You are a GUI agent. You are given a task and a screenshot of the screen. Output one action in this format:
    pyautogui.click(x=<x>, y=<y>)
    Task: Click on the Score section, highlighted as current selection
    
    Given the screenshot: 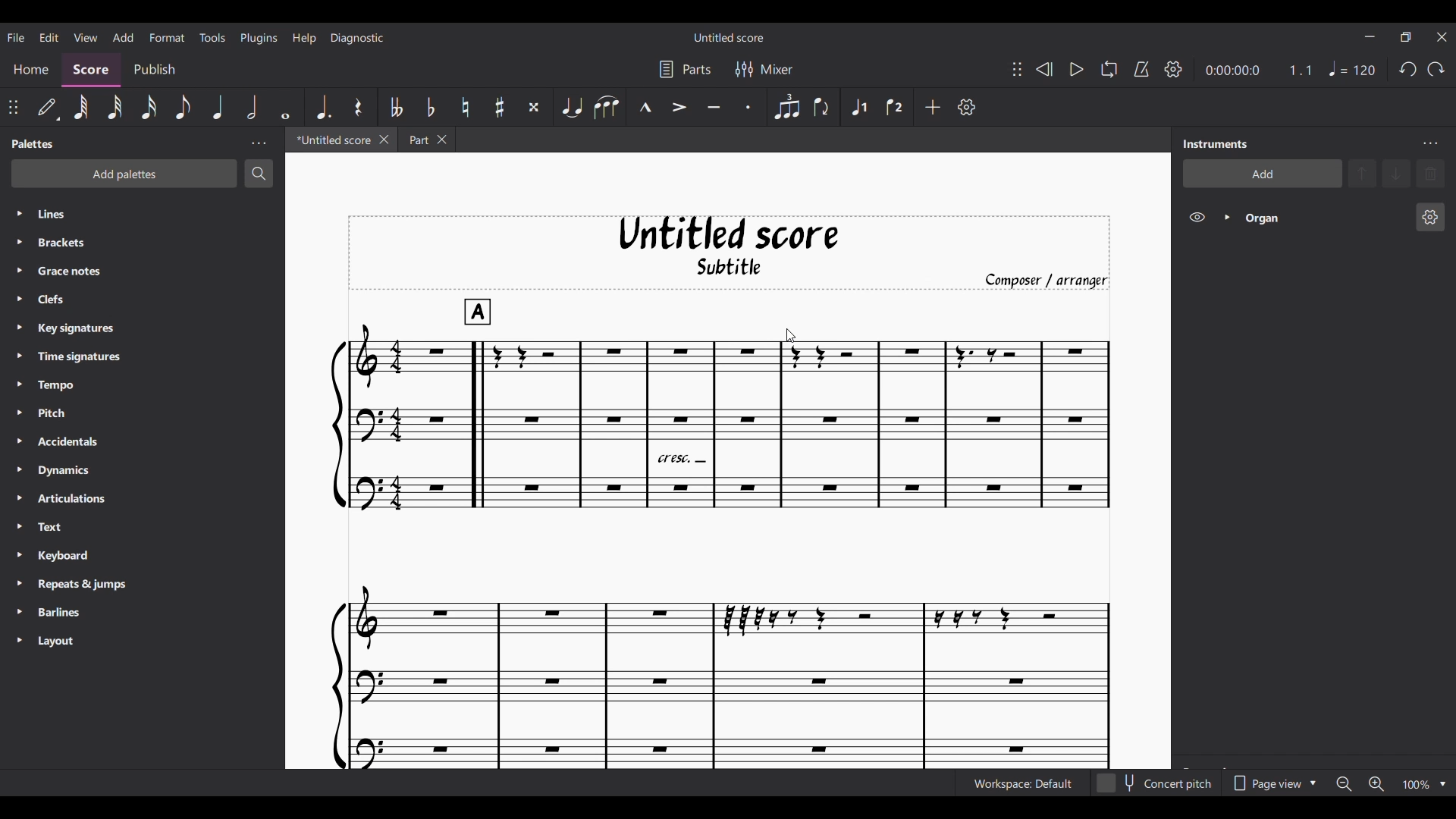 What is the action you would take?
    pyautogui.click(x=90, y=70)
    